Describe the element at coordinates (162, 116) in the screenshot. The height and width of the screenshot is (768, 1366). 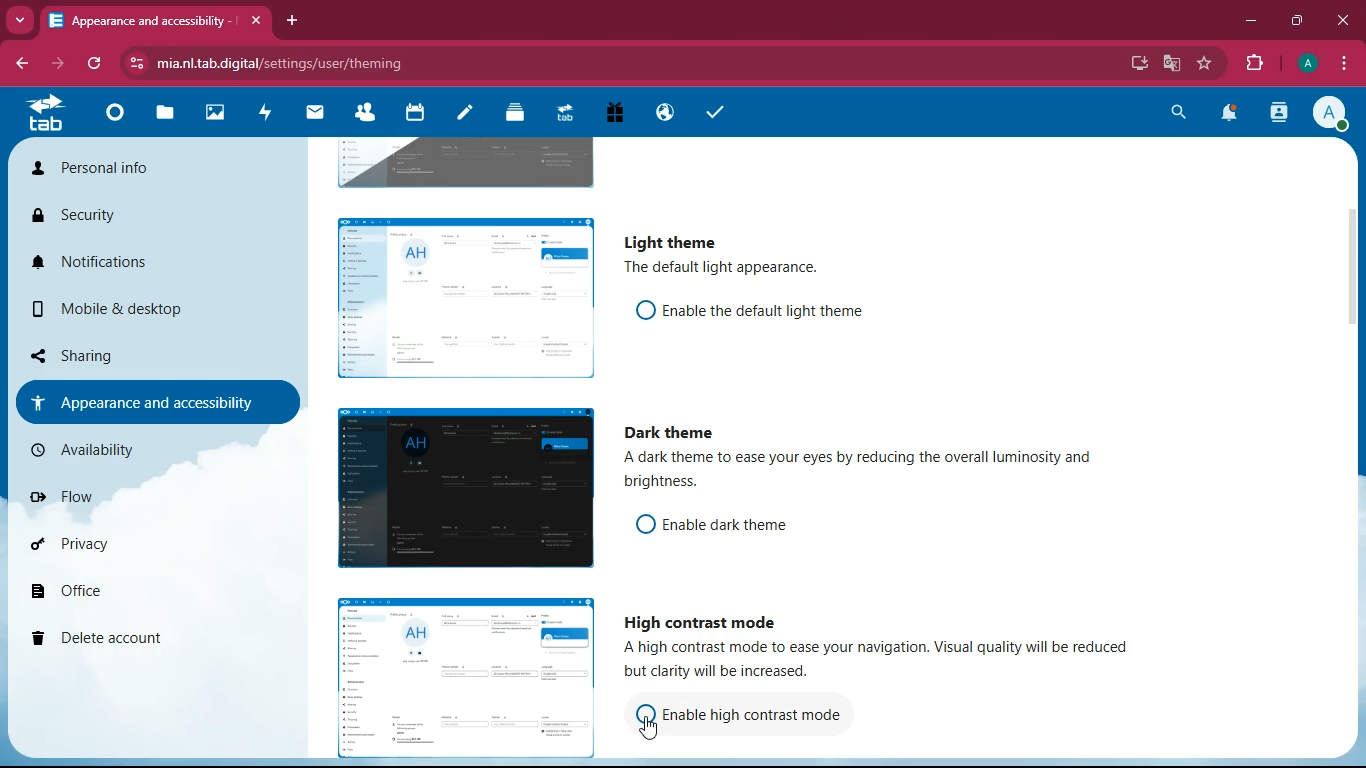
I see `files` at that location.